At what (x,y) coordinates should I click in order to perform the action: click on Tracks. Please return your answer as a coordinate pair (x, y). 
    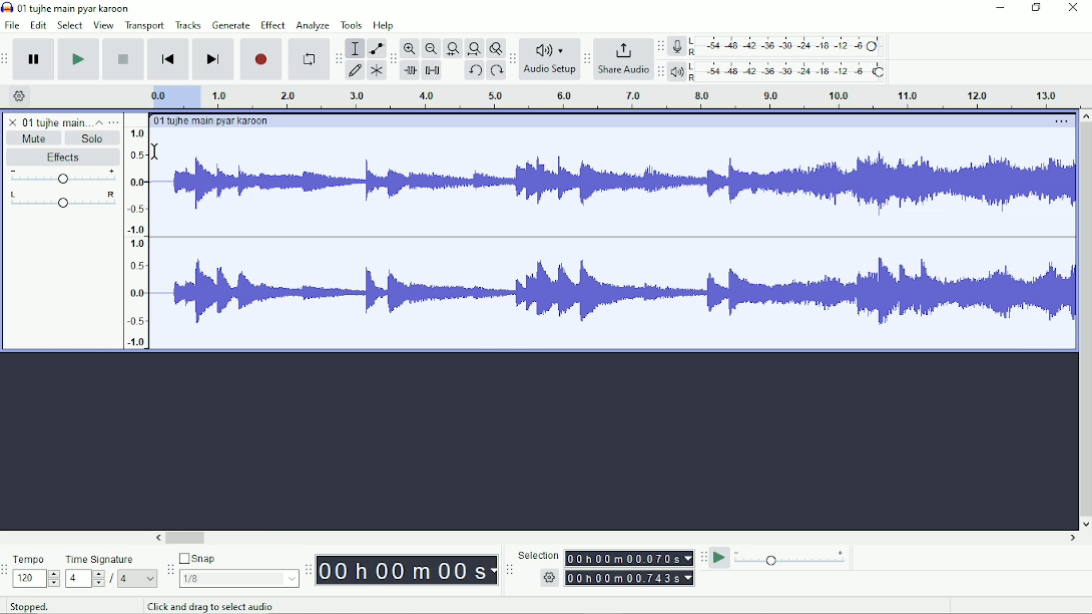
    Looking at the image, I should click on (189, 24).